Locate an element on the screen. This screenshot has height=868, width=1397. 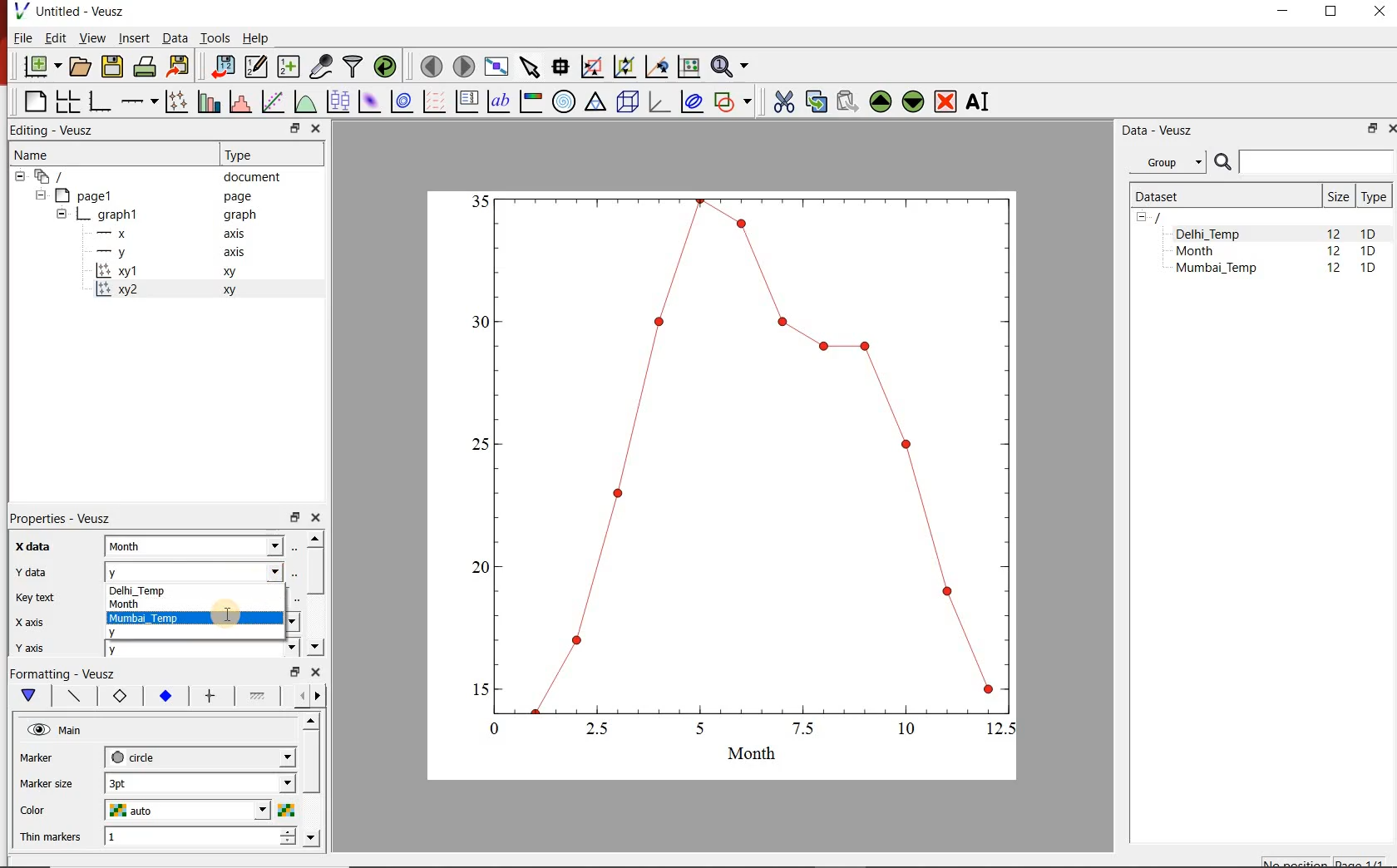
Insert is located at coordinates (133, 37).